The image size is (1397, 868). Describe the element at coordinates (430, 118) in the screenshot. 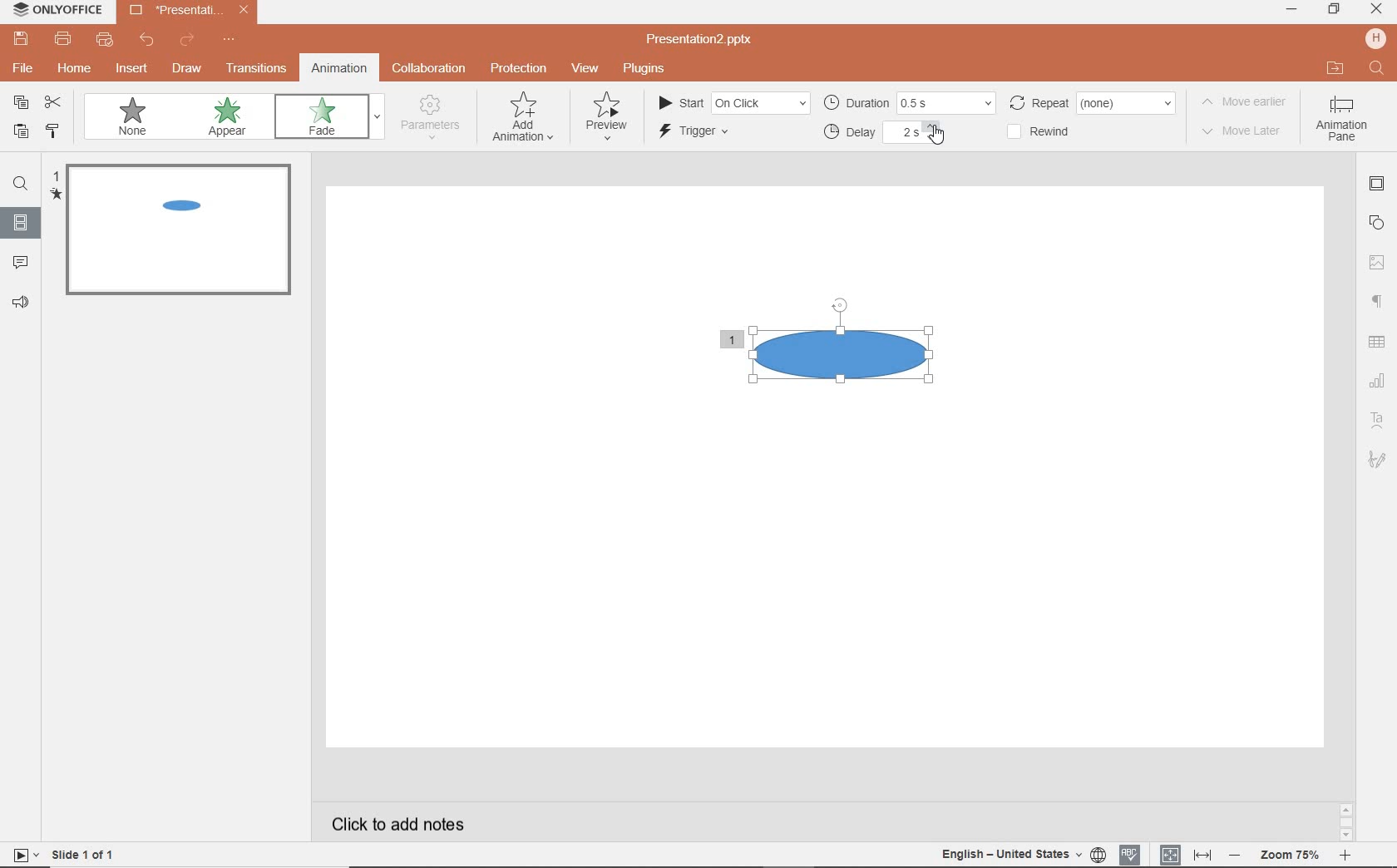

I see `parameters` at that location.